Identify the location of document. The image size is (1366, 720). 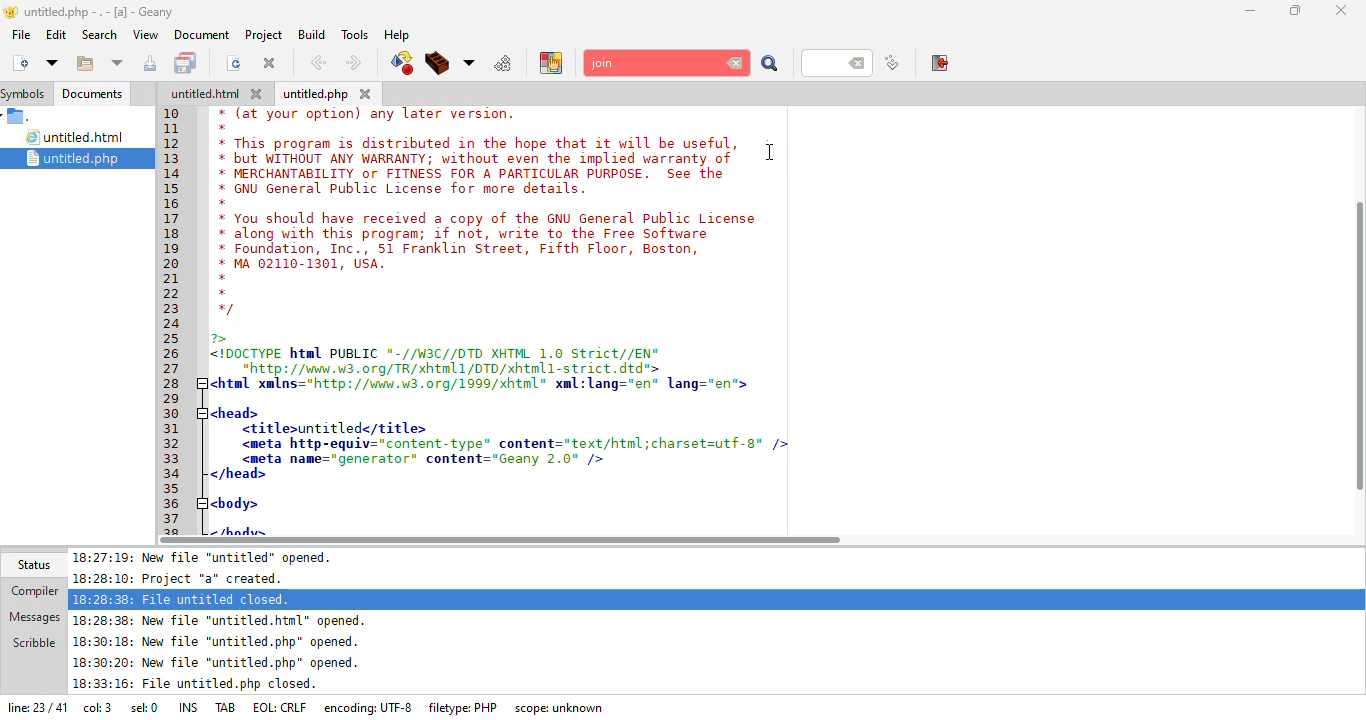
(201, 34).